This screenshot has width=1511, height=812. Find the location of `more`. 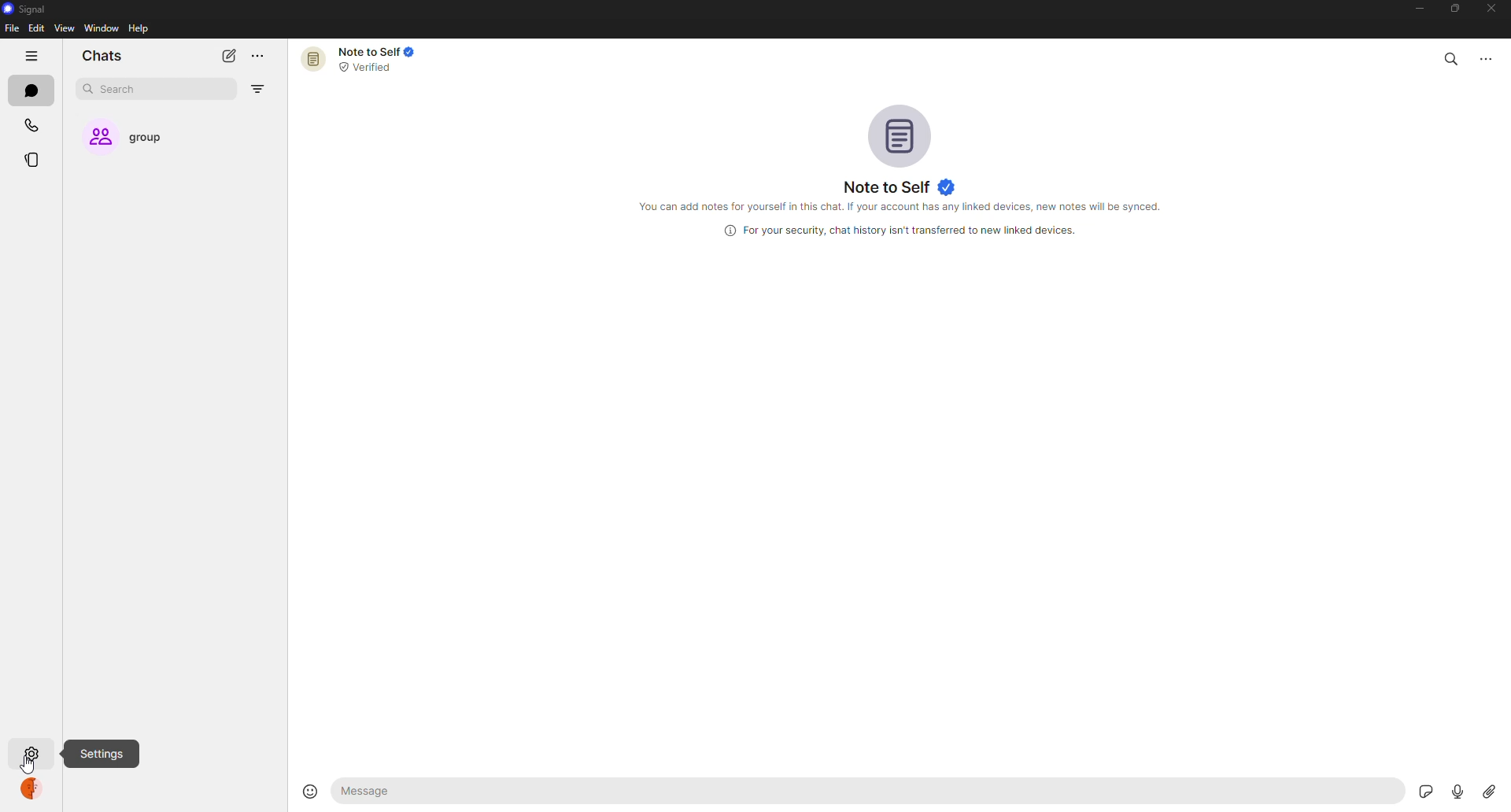

more is located at coordinates (257, 57).